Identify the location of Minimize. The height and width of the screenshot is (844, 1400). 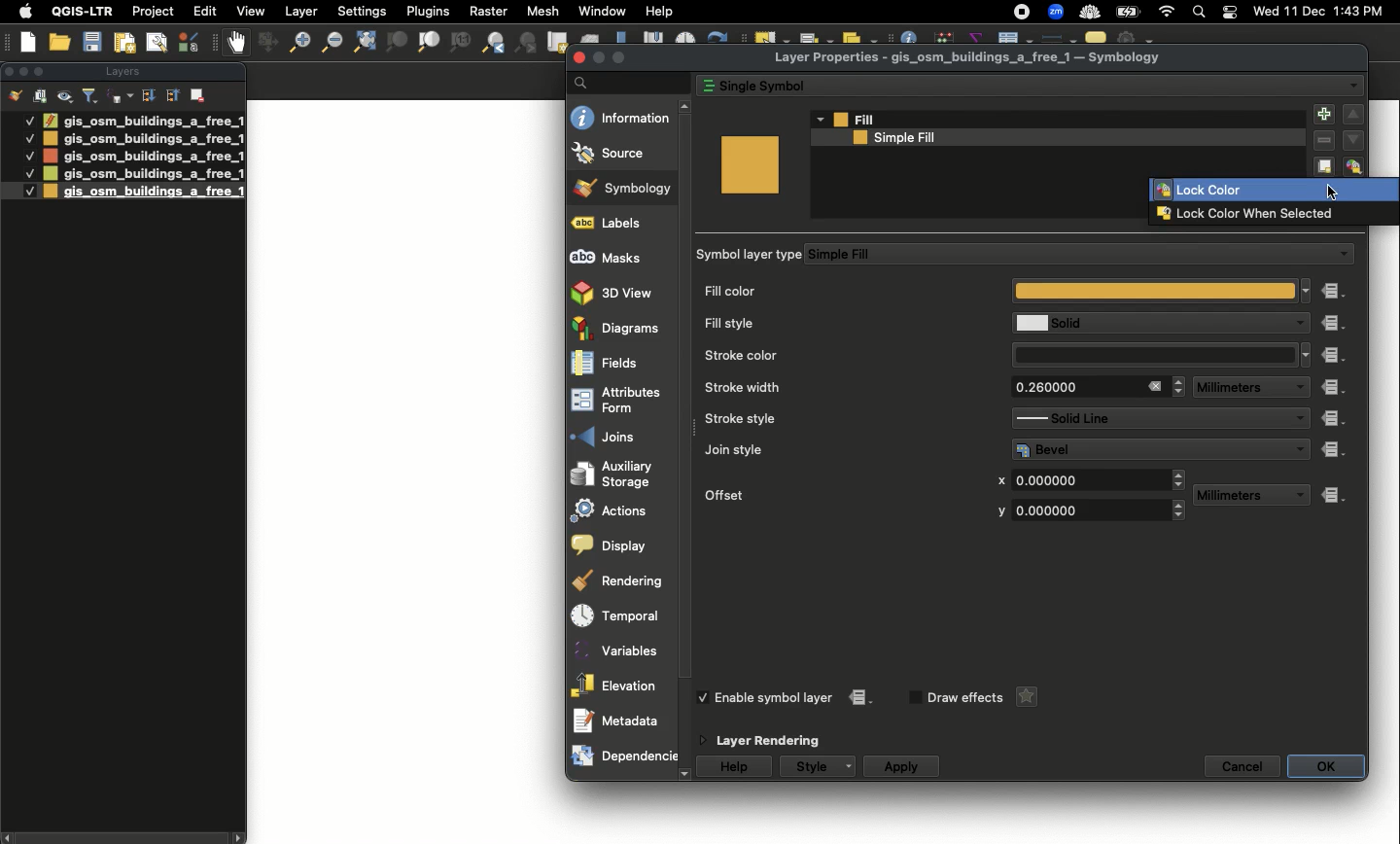
(22, 70).